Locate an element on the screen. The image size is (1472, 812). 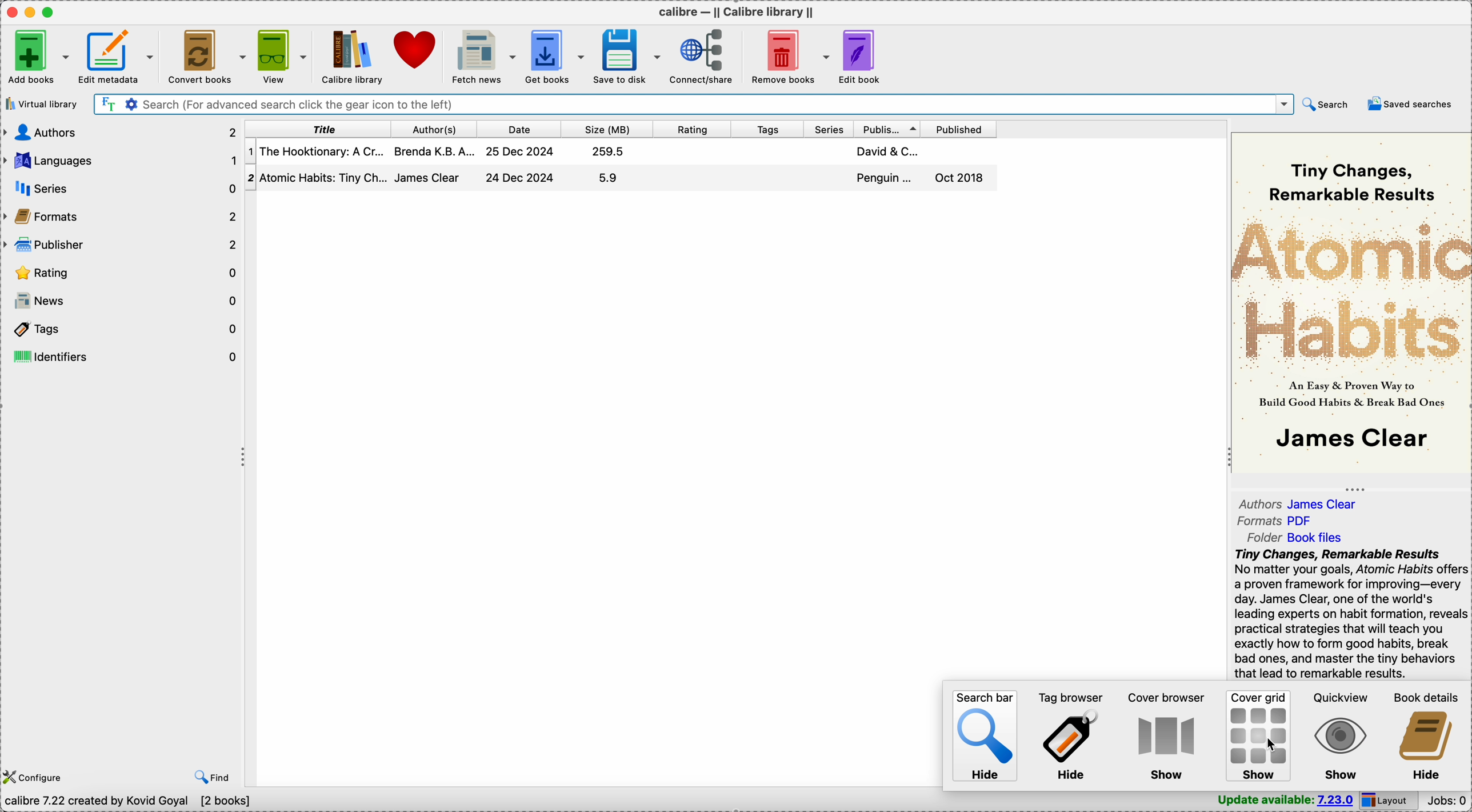
search is located at coordinates (1324, 105).